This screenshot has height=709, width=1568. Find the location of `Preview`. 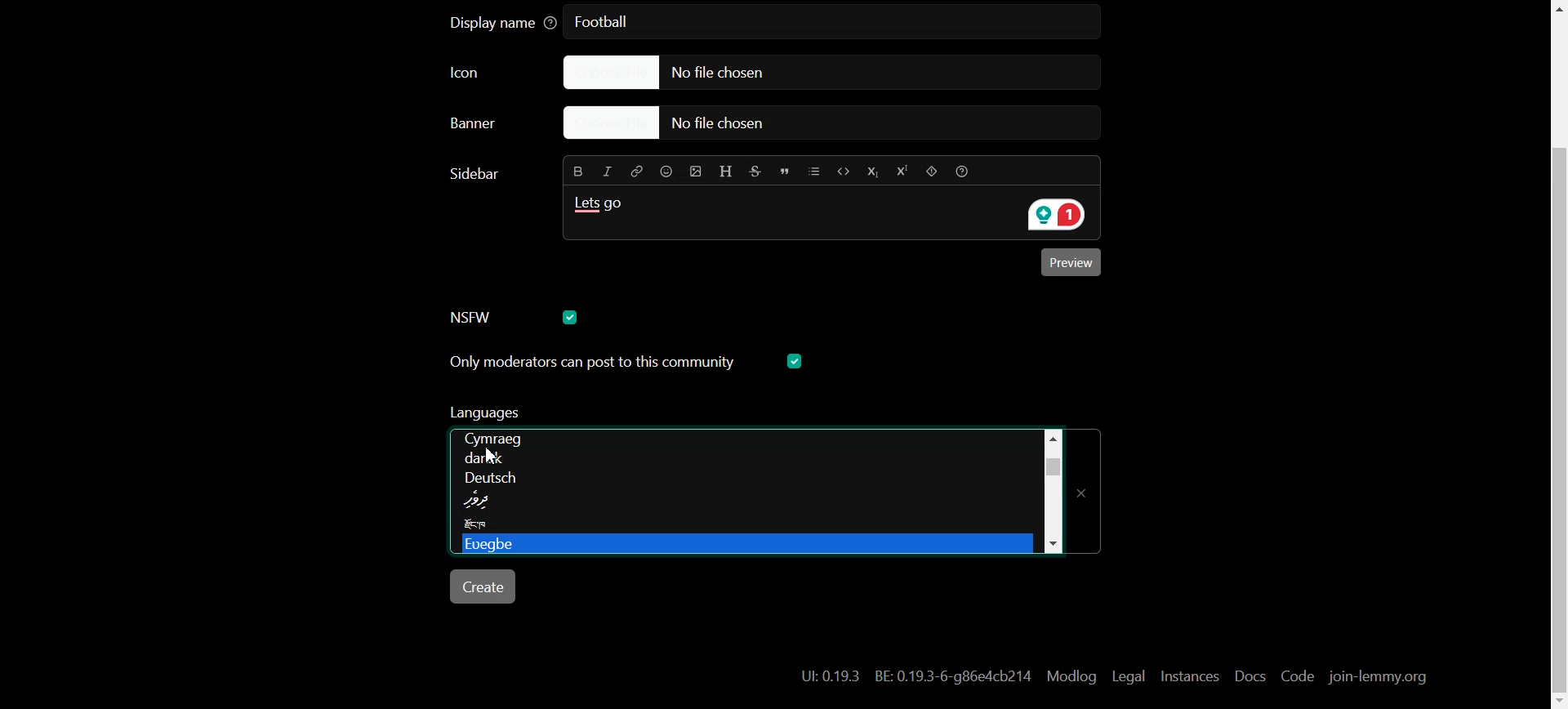

Preview is located at coordinates (1074, 265).